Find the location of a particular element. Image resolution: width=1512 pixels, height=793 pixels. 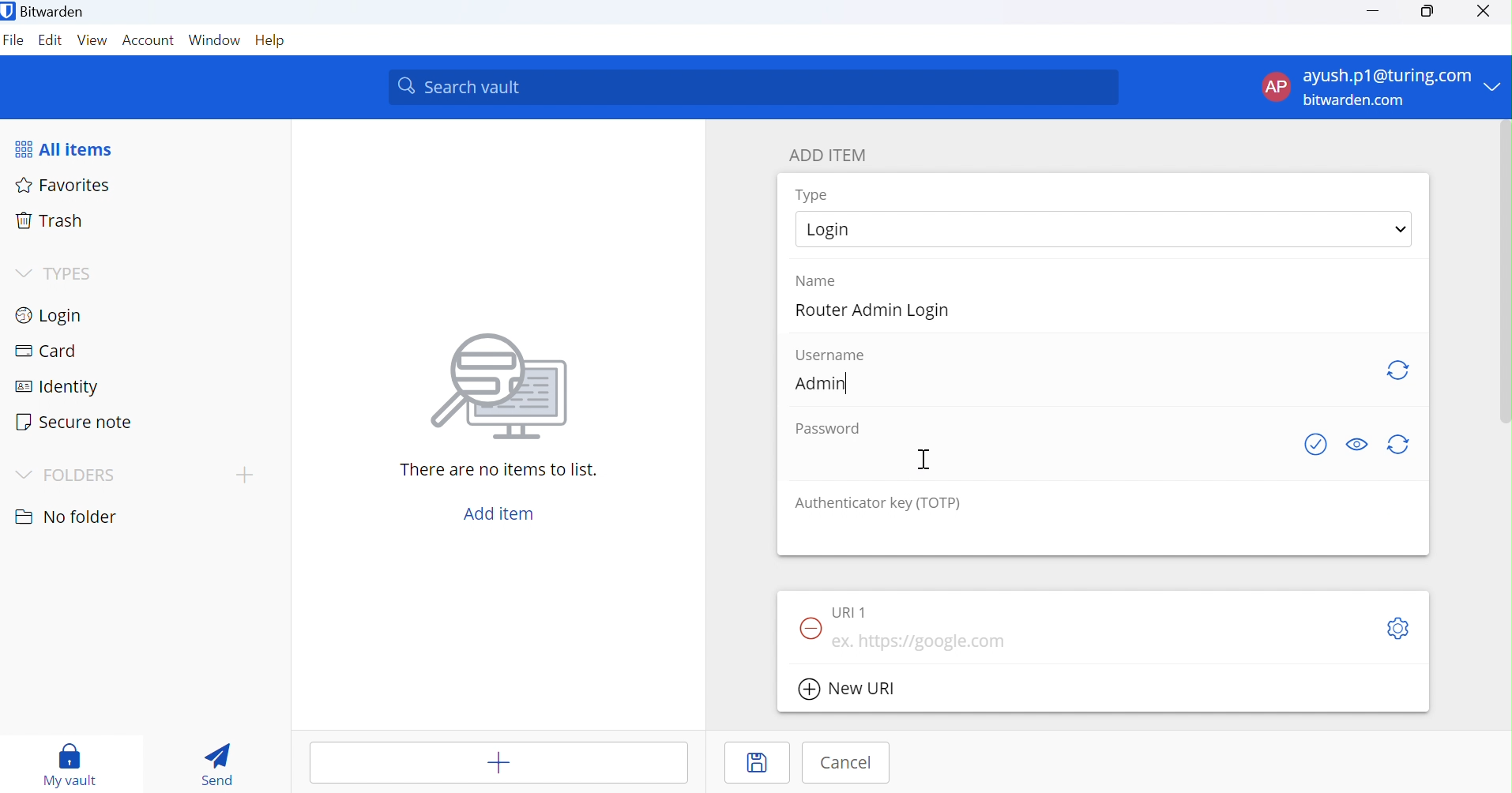

Admin is located at coordinates (826, 384).